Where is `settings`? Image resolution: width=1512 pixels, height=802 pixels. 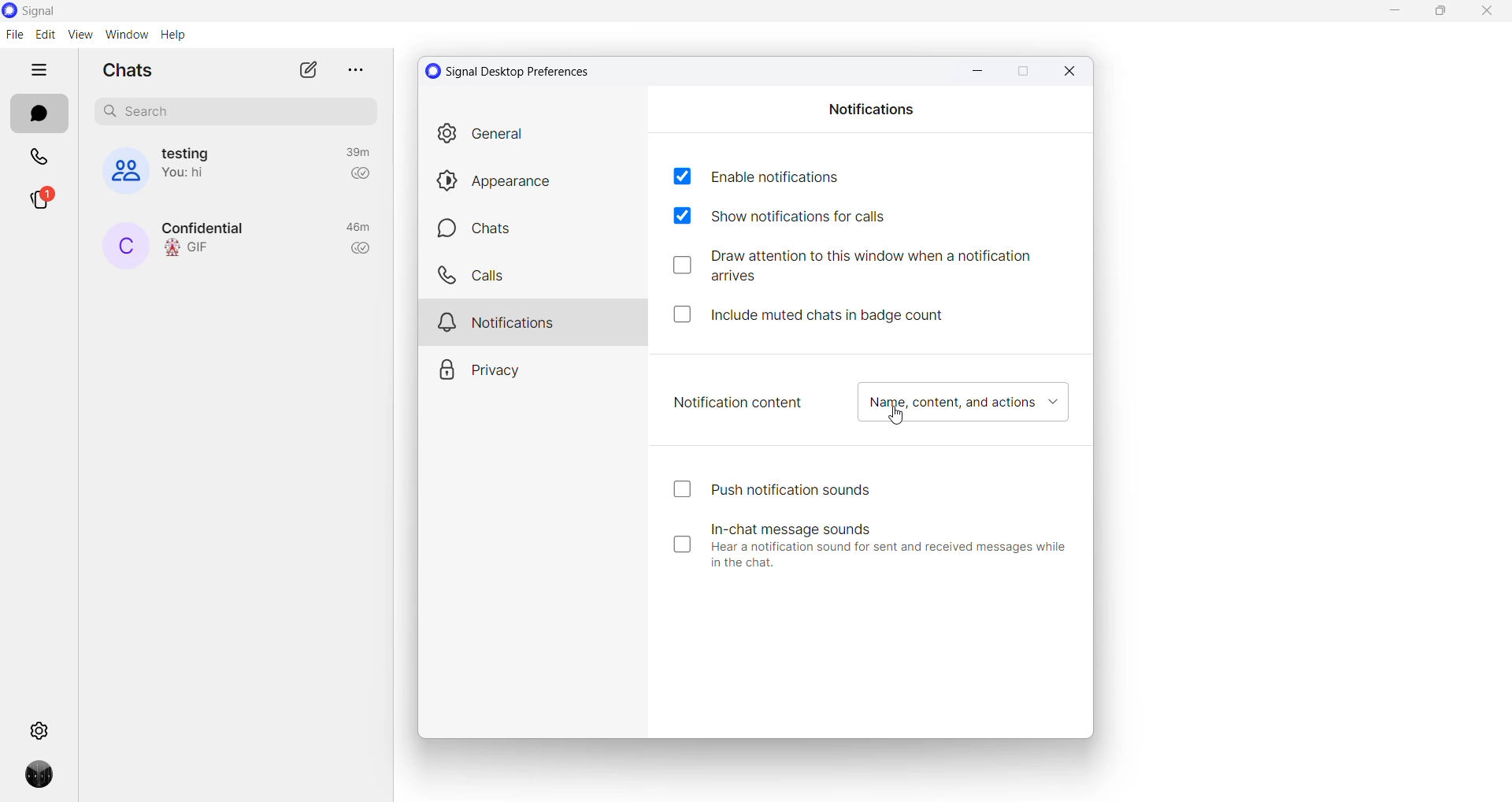 settings is located at coordinates (39, 730).